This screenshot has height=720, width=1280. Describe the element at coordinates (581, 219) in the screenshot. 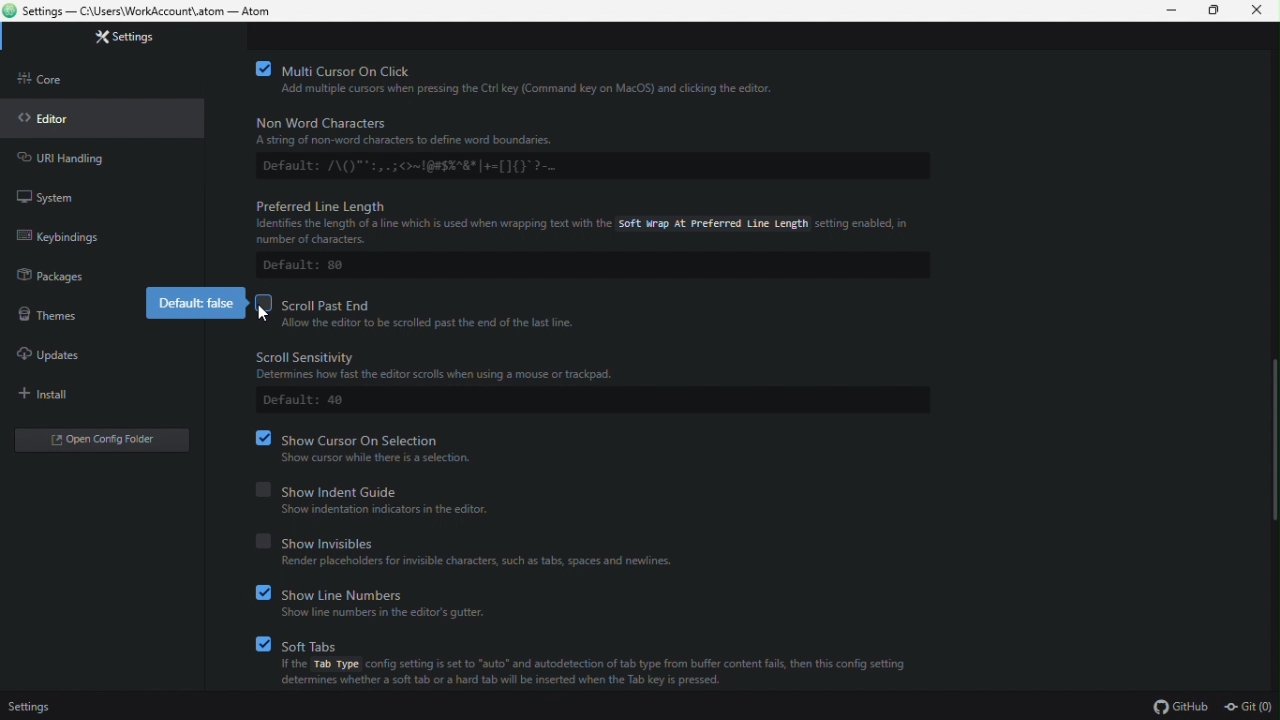

I see `Preferred Line LengthIdentifies the length of a line which is used when wrapping text with the Soft Wrap At Preferred Line Length setting enabled, in number of characters.` at that location.